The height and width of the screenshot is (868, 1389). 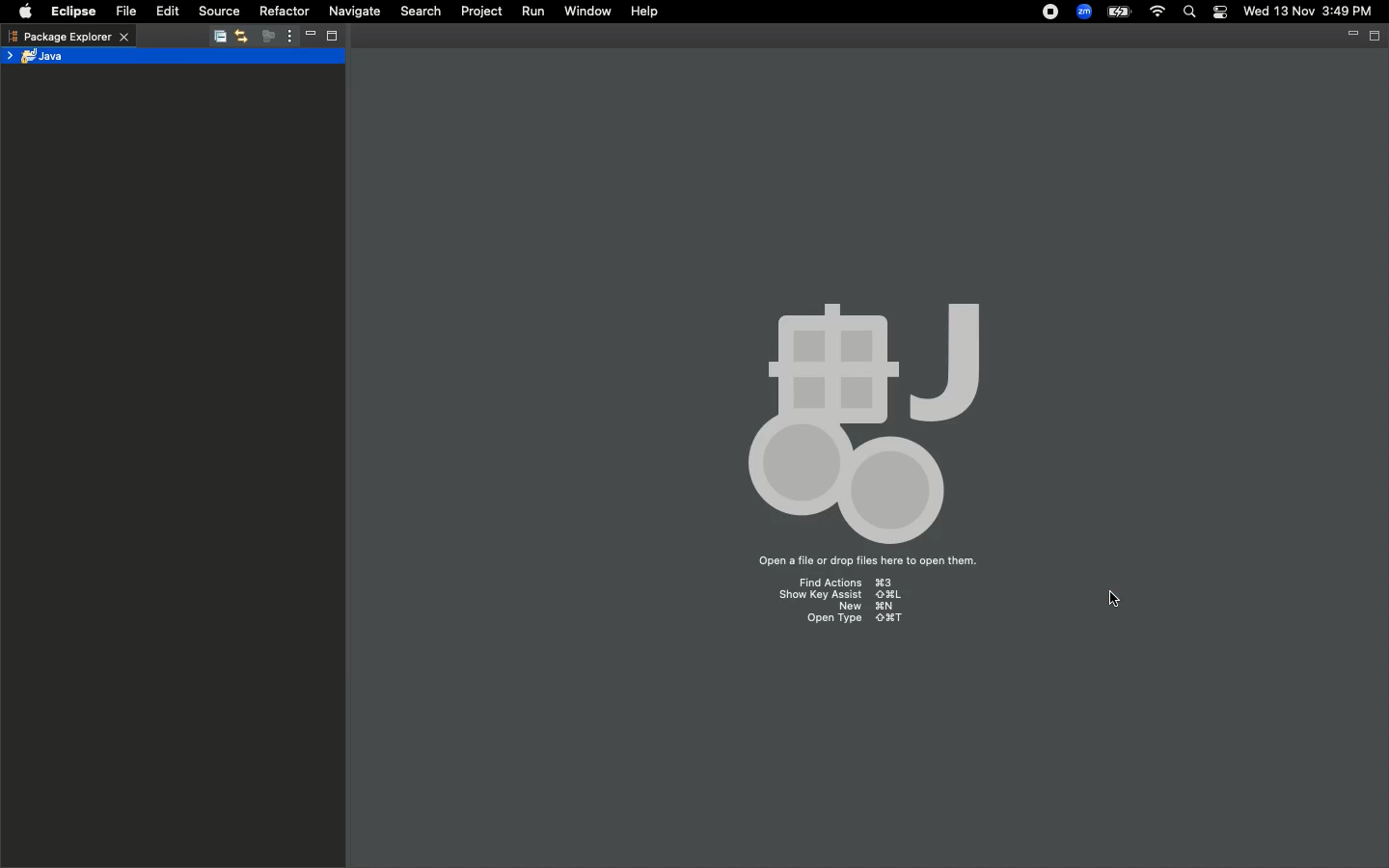 What do you see at coordinates (532, 13) in the screenshot?
I see `Run` at bounding box center [532, 13].